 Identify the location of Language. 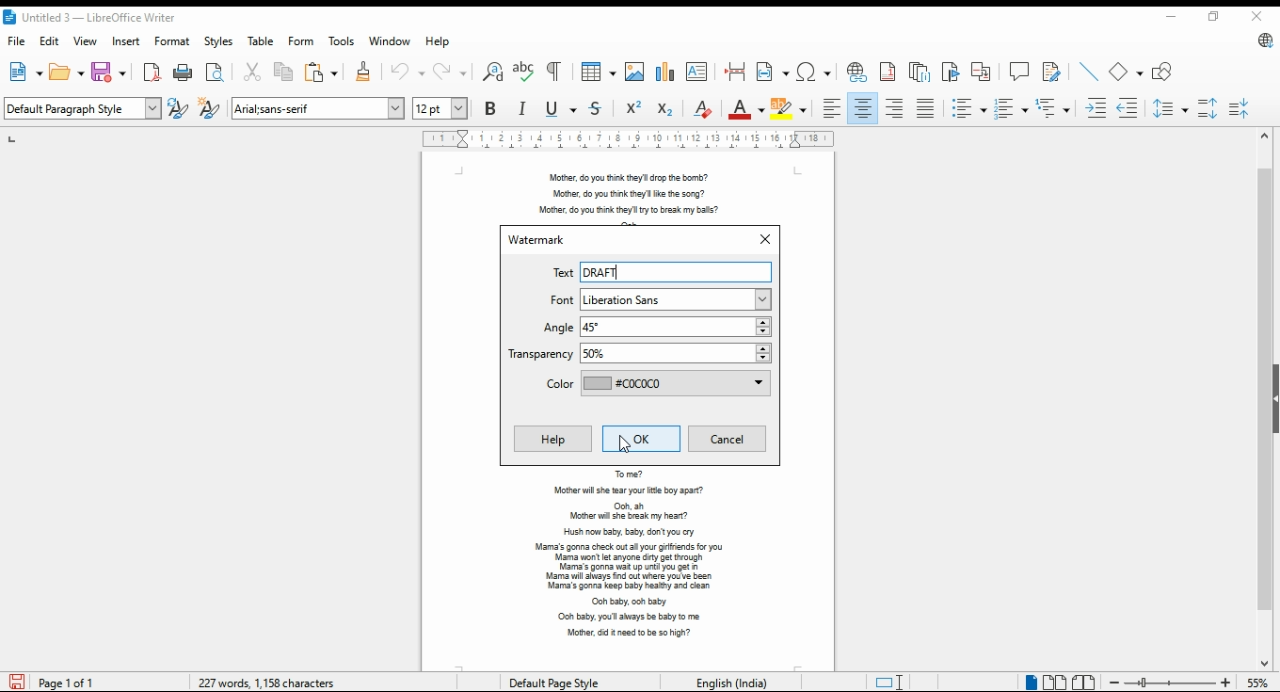
(726, 682).